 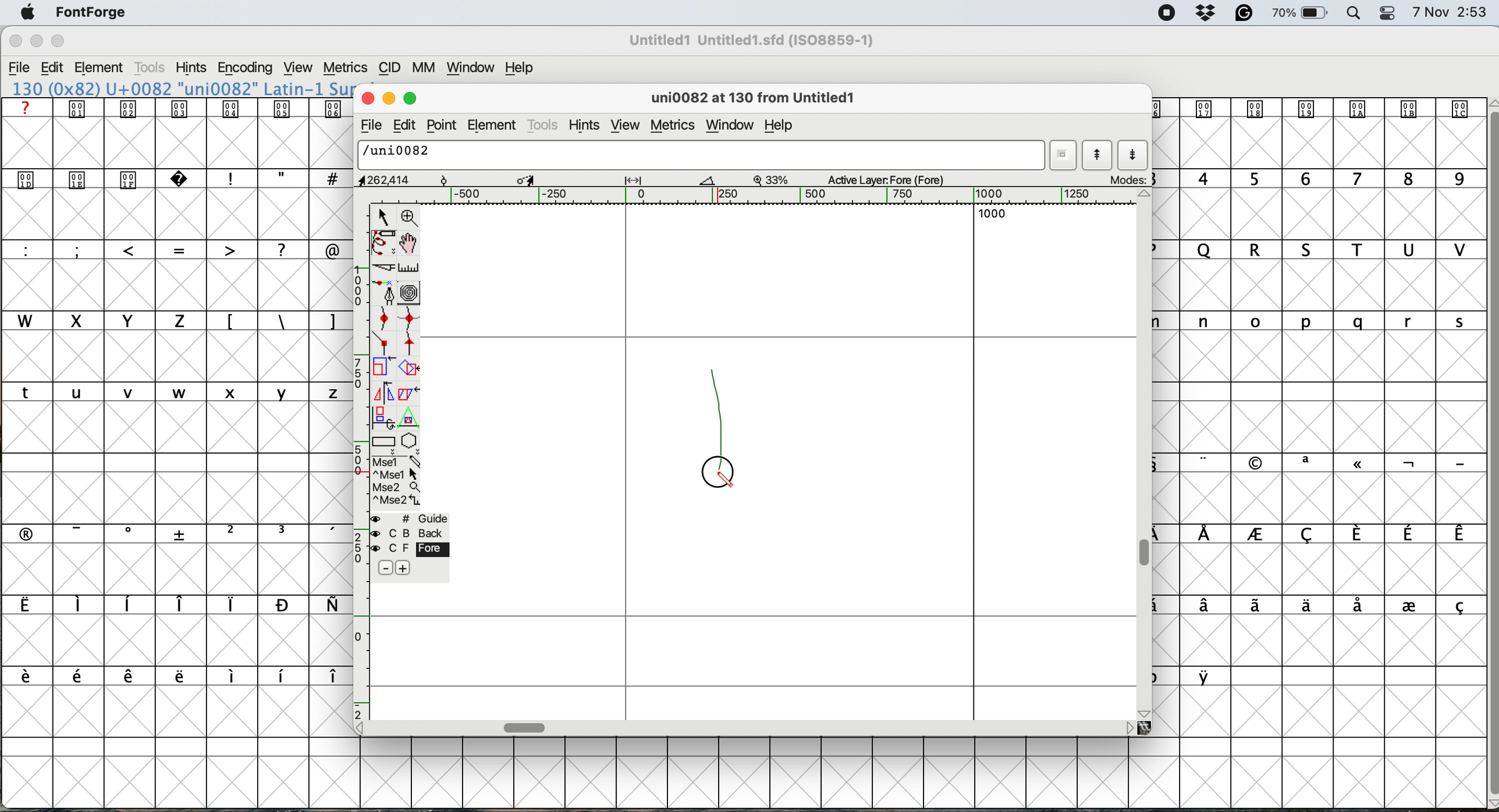 I want to click on help, so click(x=784, y=126).